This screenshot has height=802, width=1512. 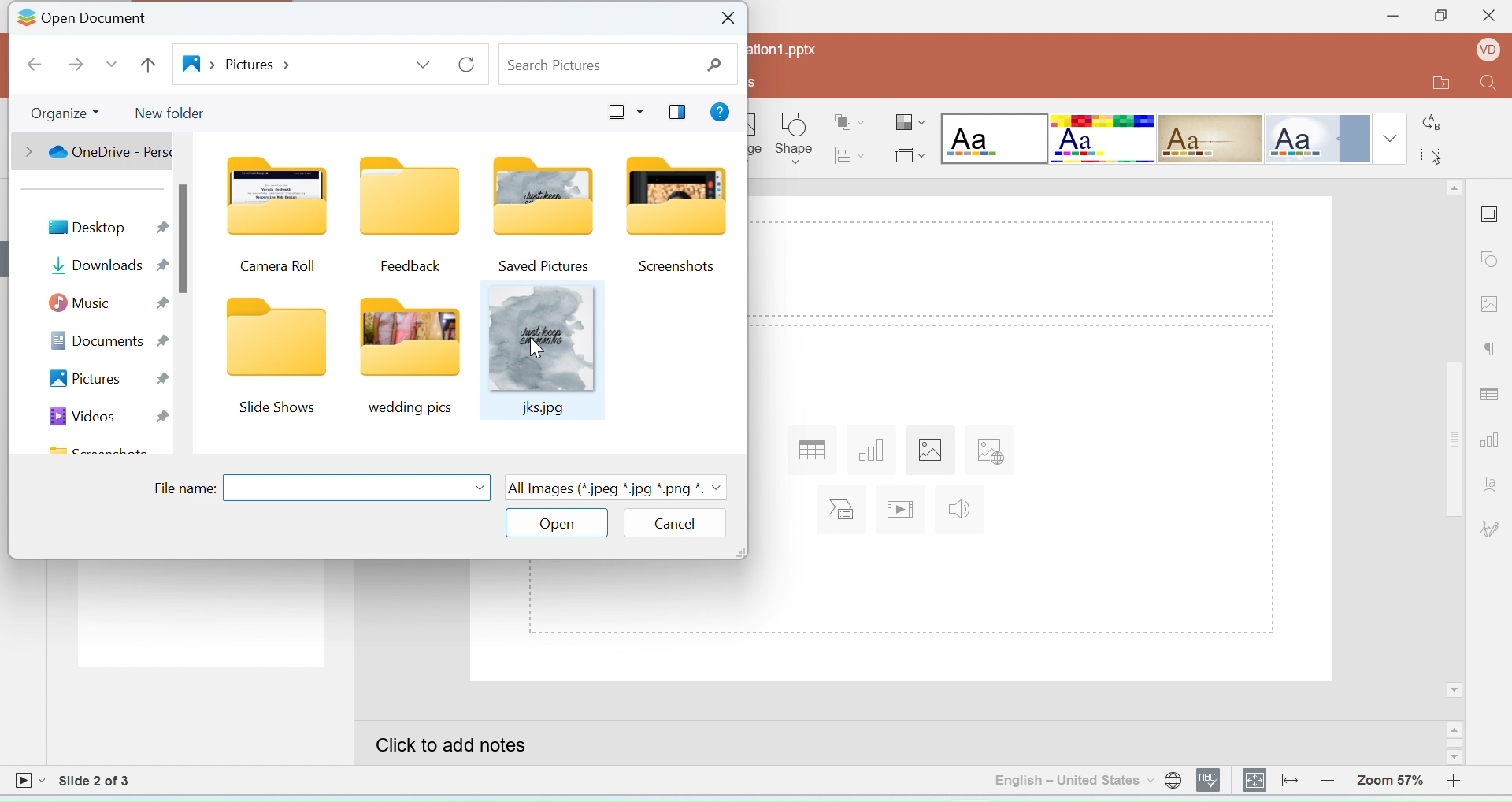 What do you see at coordinates (1173, 780) in the screenshot?
I see `Set document language` at bounding box center [1173, 780].